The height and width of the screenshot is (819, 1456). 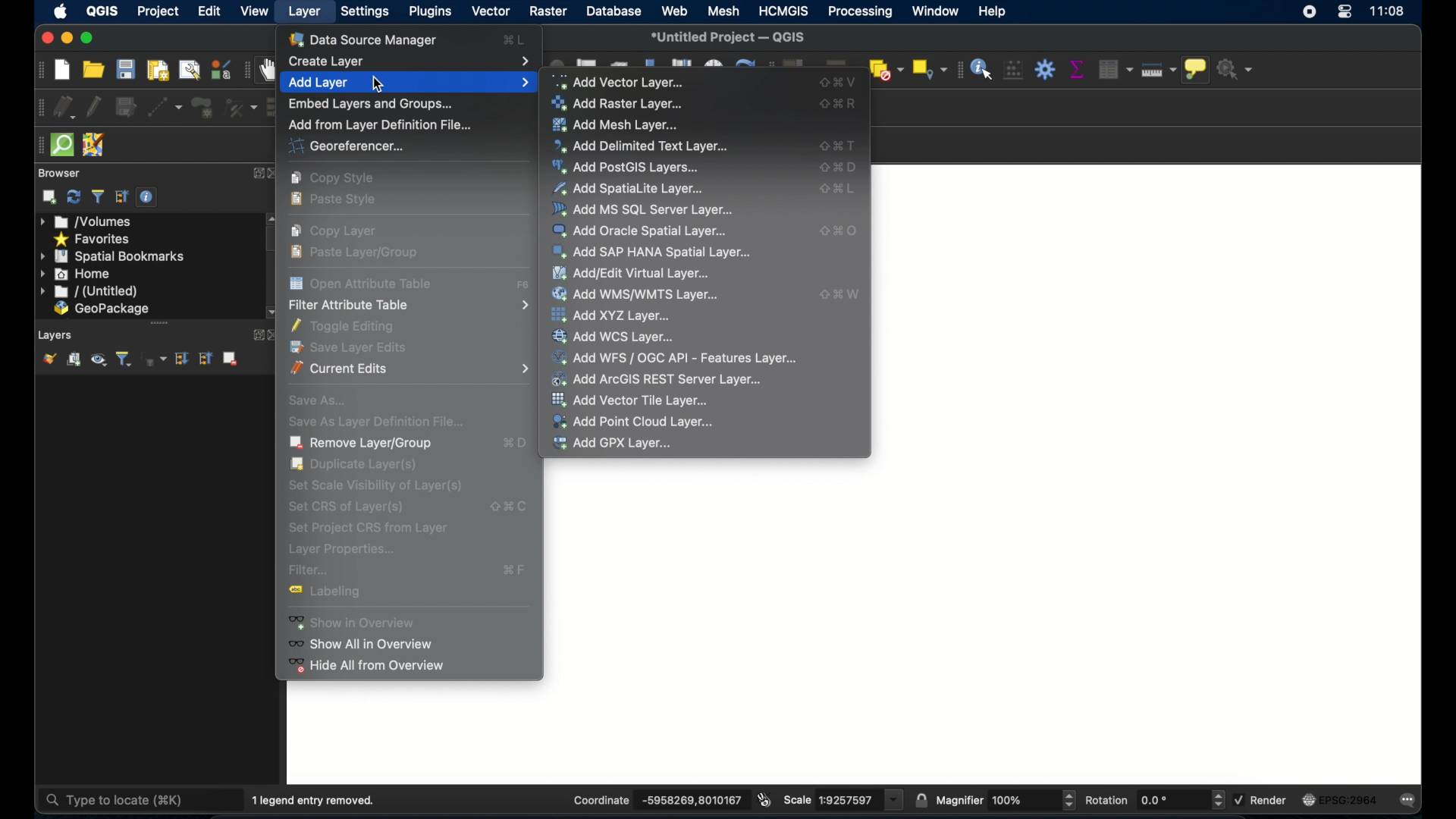 I want to click on magnifier, so click(x=959, y=799).